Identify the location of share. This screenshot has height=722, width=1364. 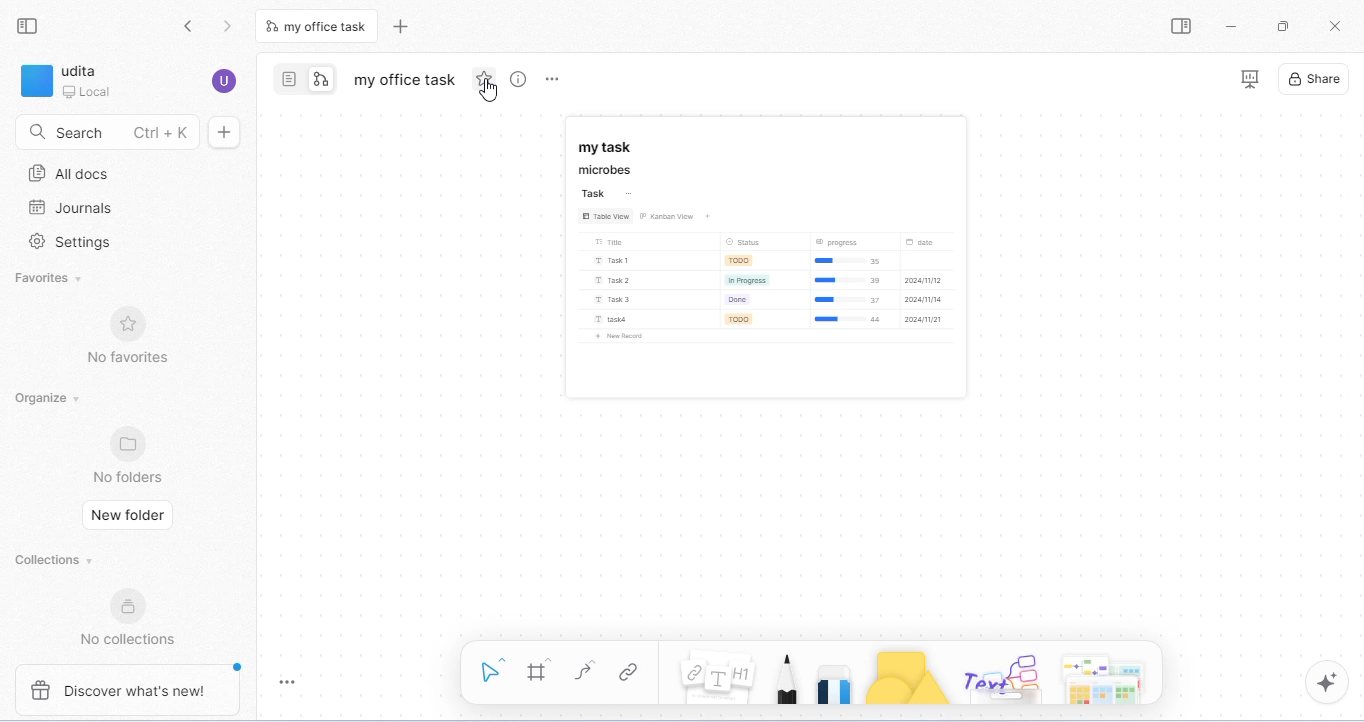
(1316, 79).